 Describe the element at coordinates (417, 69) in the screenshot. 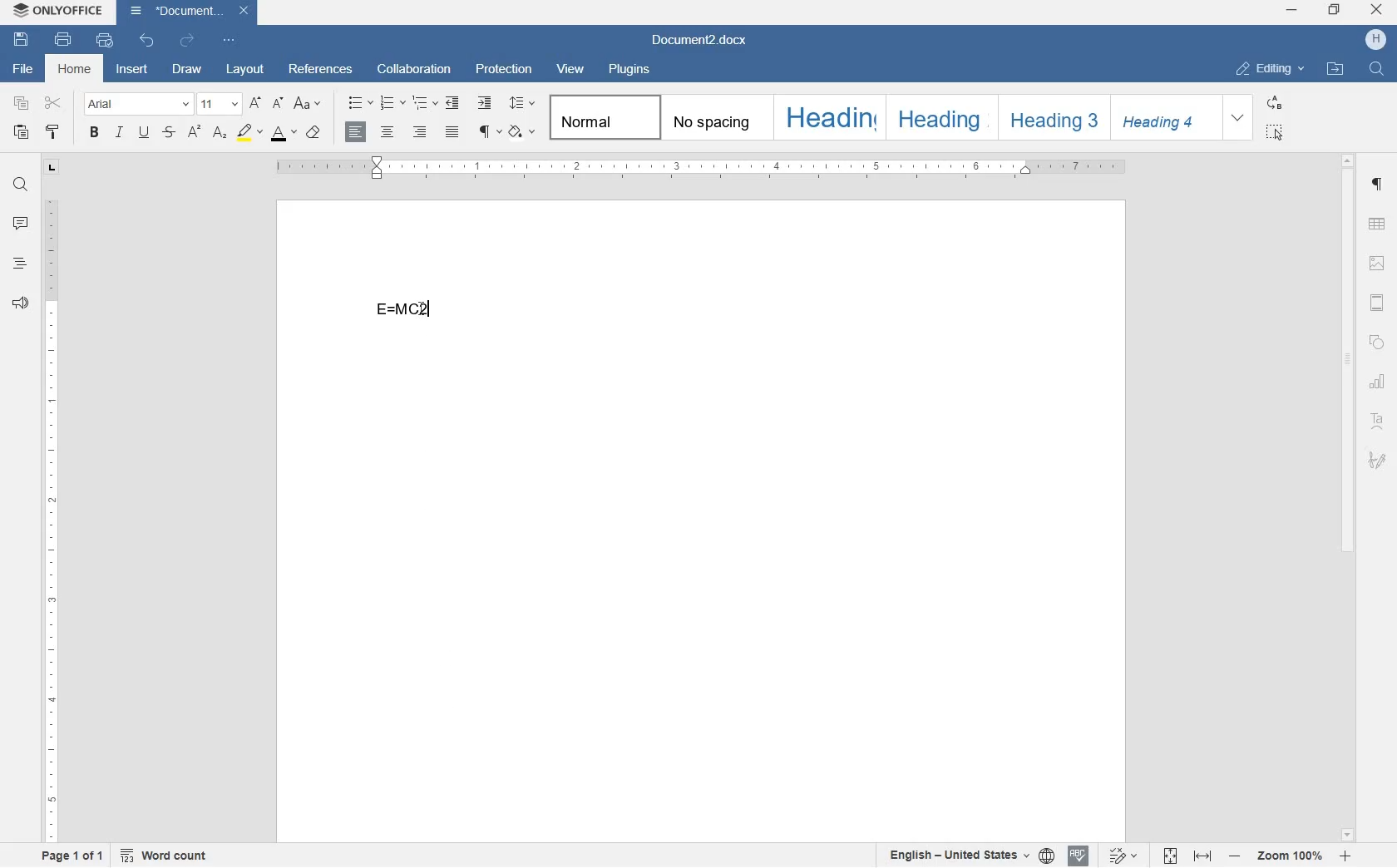

I see `collaboration` at that location.